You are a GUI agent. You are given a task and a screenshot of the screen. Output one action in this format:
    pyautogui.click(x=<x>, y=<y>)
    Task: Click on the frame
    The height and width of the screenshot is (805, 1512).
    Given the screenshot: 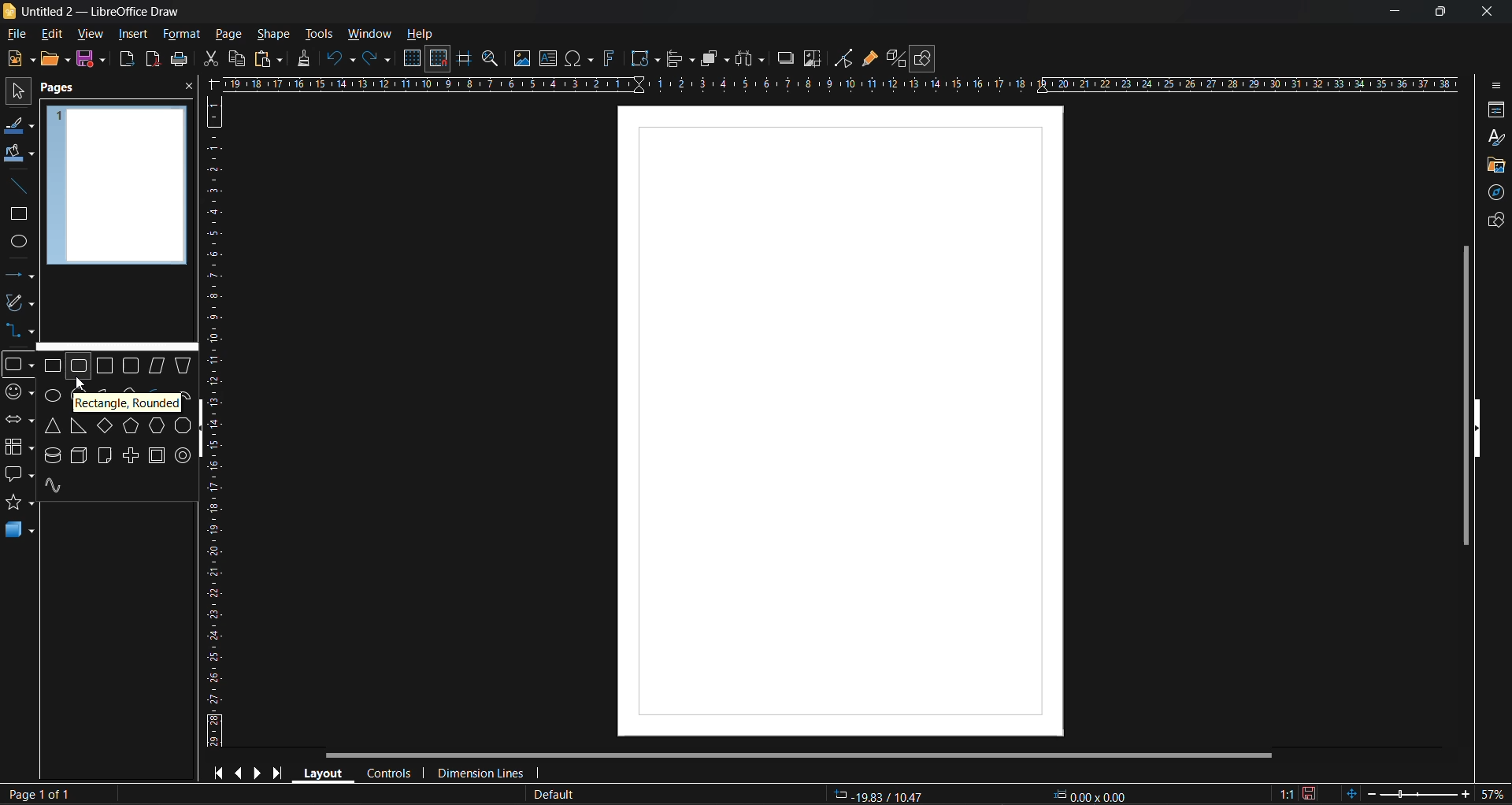 What is the action you would take?
    pyautogui.click(x=159, y=454)
    